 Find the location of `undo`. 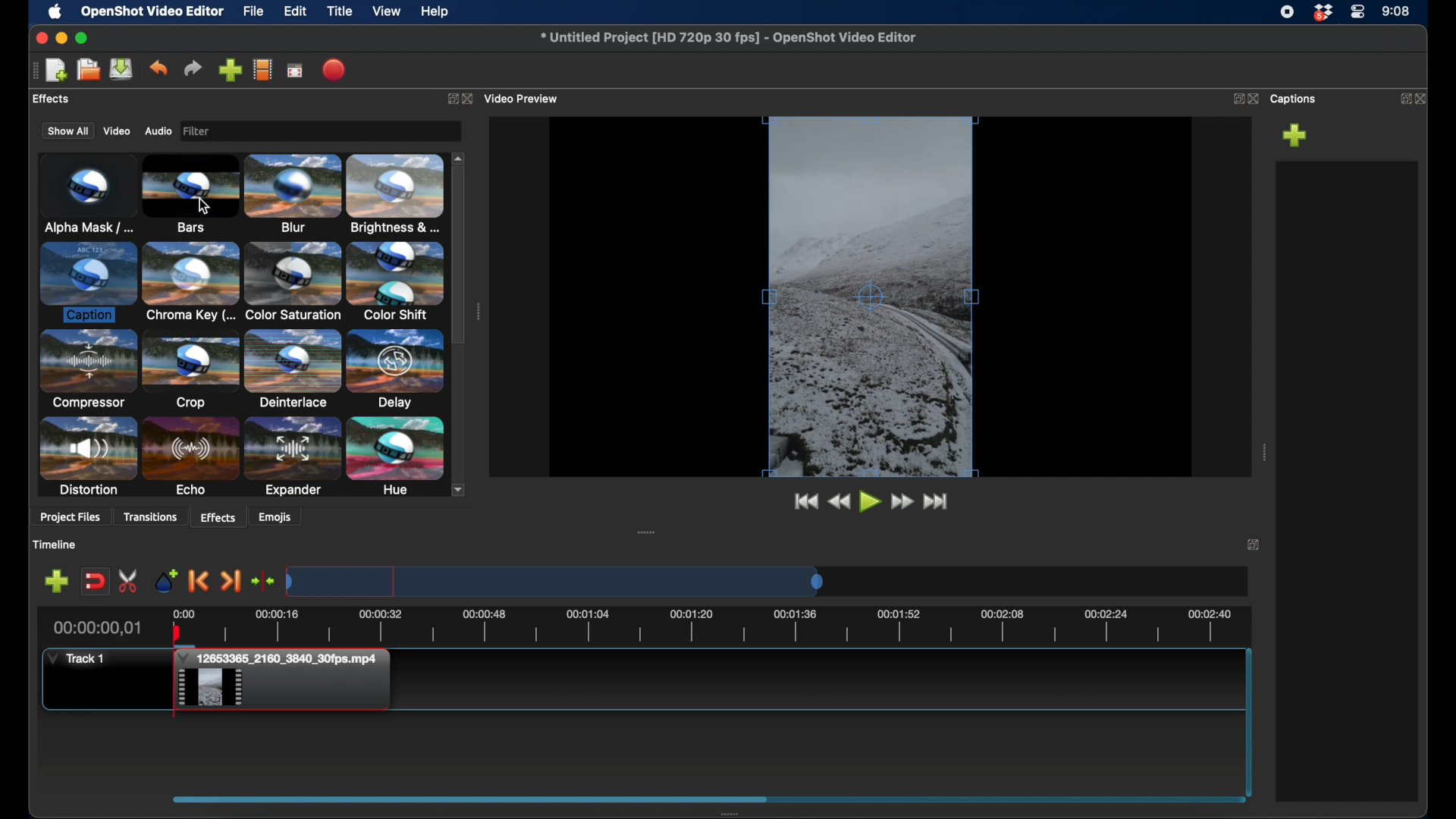

undo is located at coordinates (159, 67).